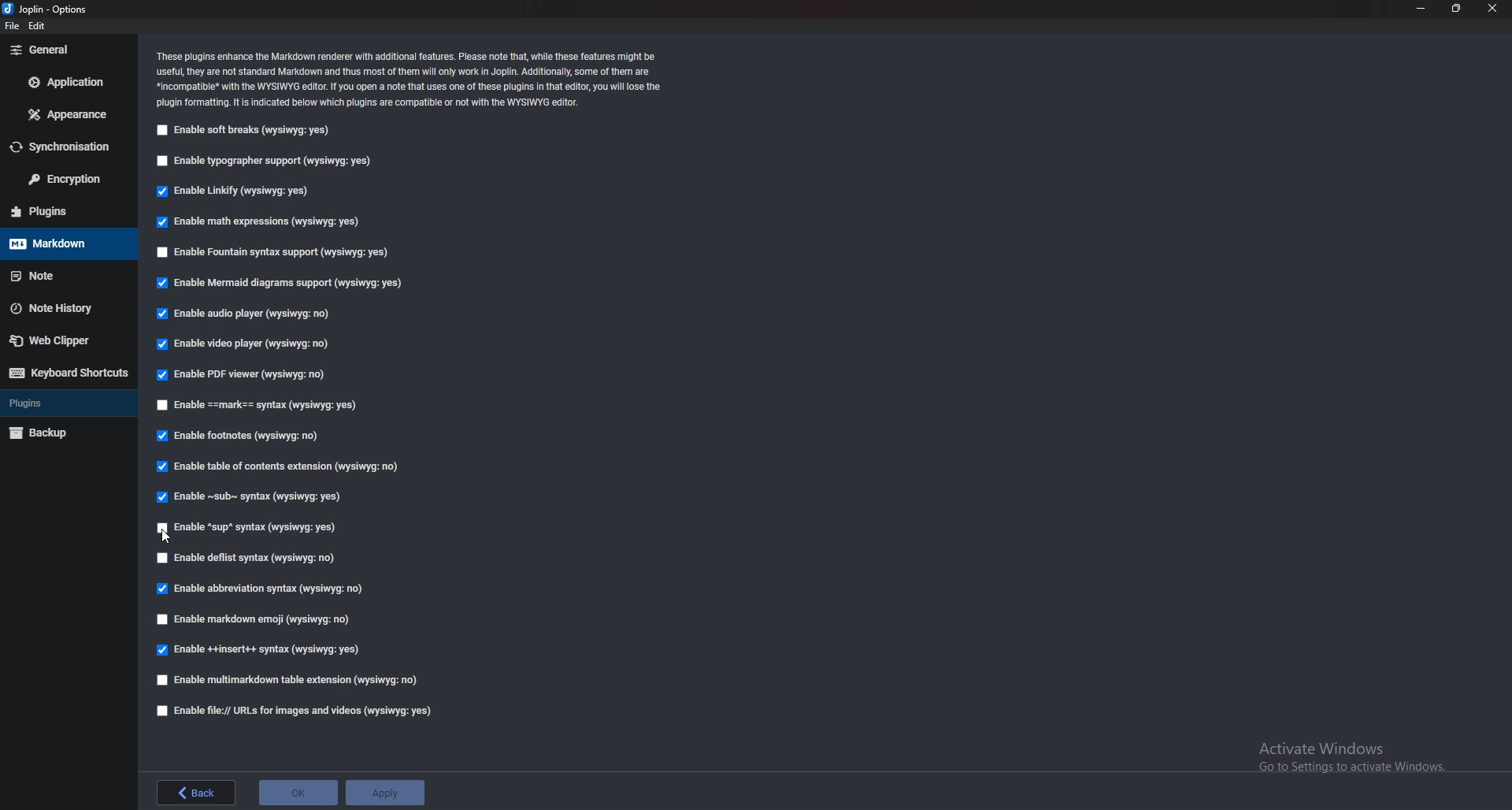  Describe the element at coordinates (298, 793) in the screenshot. I see `ok` at that location.